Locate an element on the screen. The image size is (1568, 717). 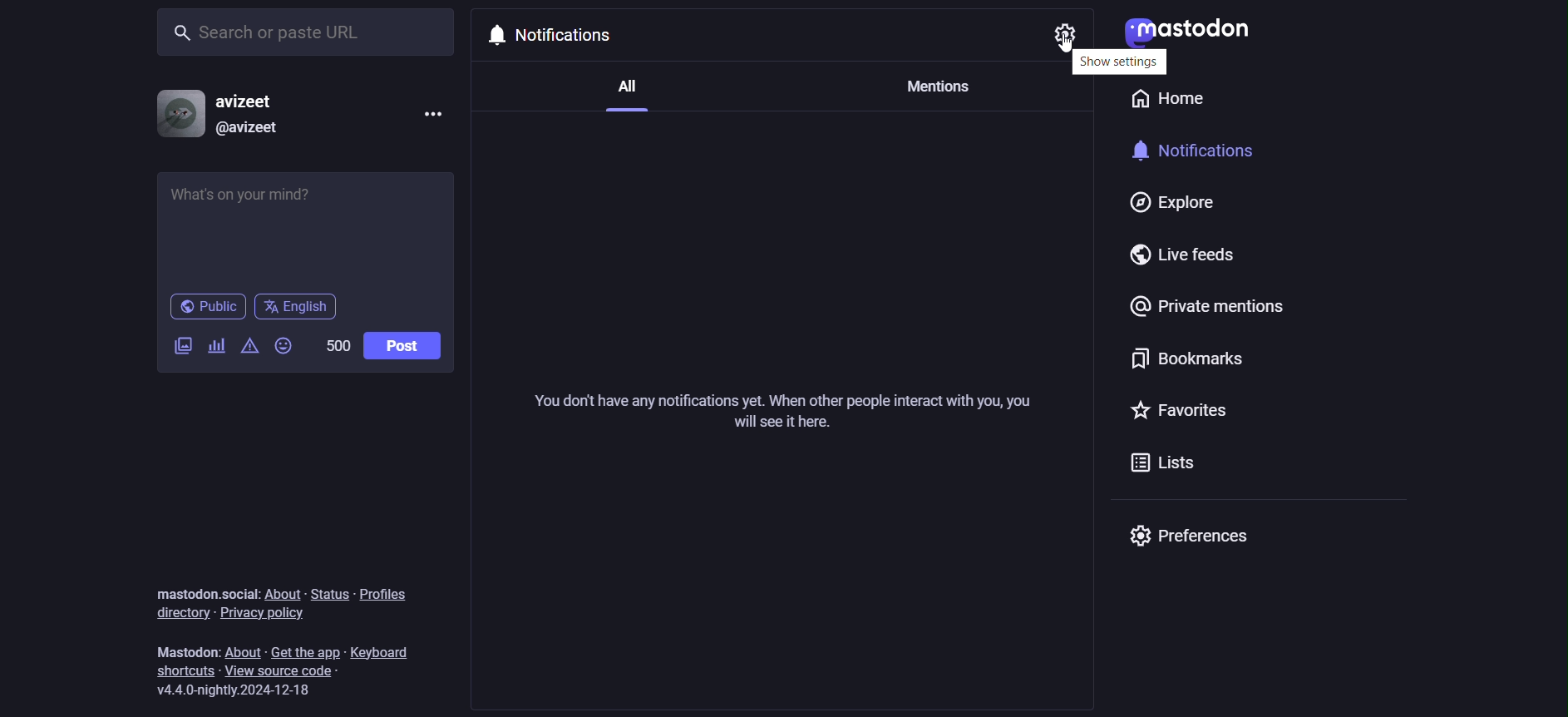
bookmarks is located at coordinates (1183, 365).